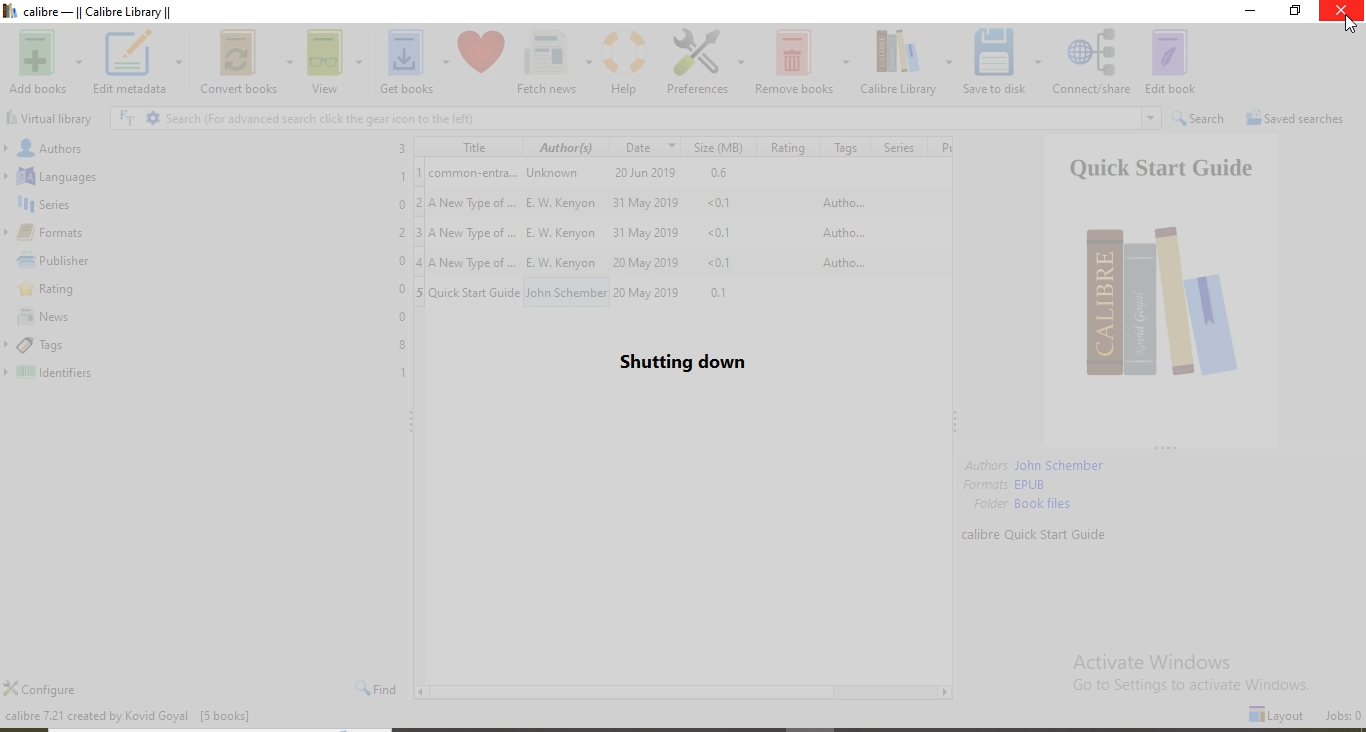 The width and height of the screenshot is (1366, 732). Describe the element at coordinates (413, 62) in the screenshot. I see `Get books` at that location.